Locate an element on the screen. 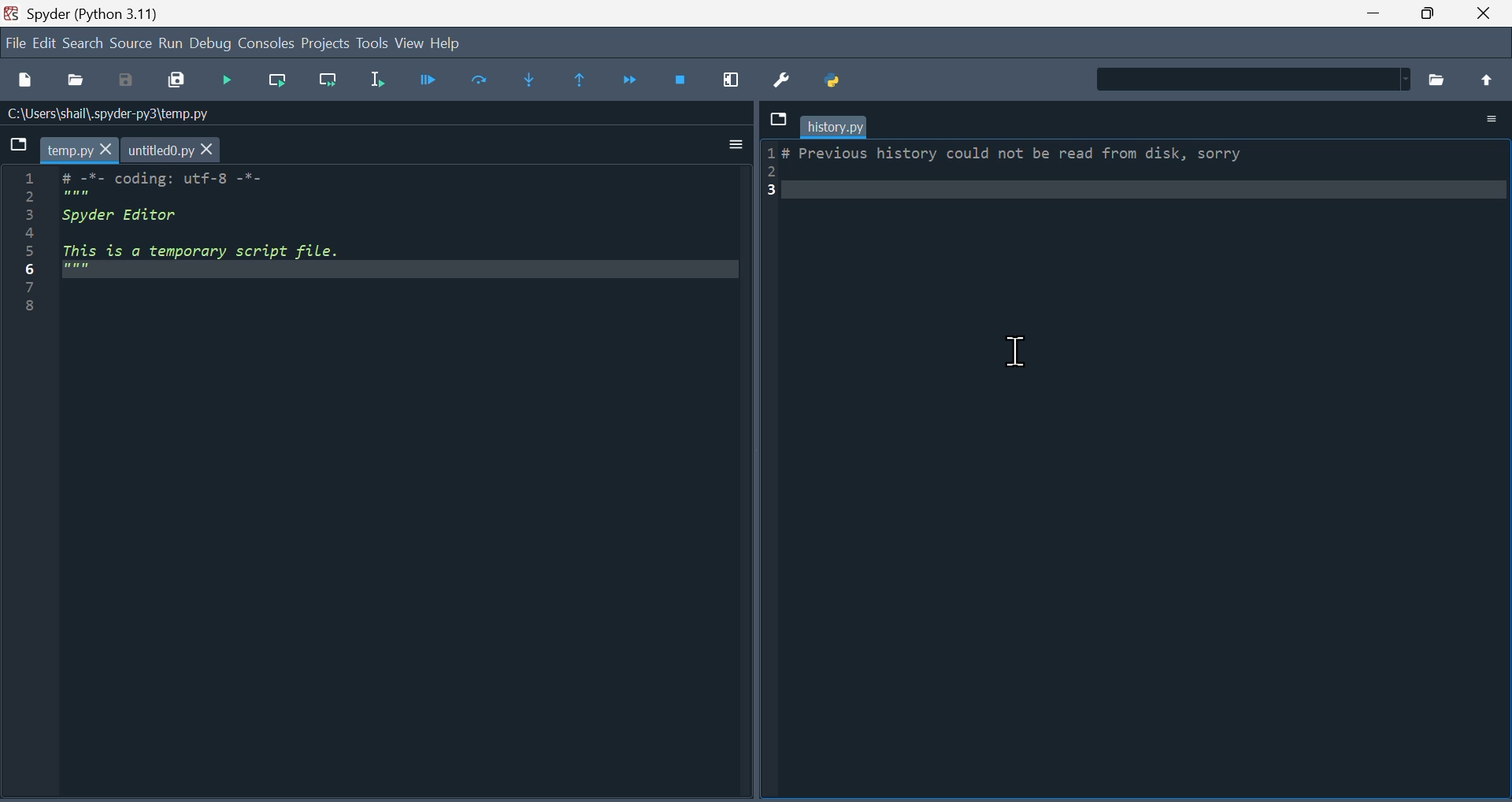  view is located at coordinates (410, 42).